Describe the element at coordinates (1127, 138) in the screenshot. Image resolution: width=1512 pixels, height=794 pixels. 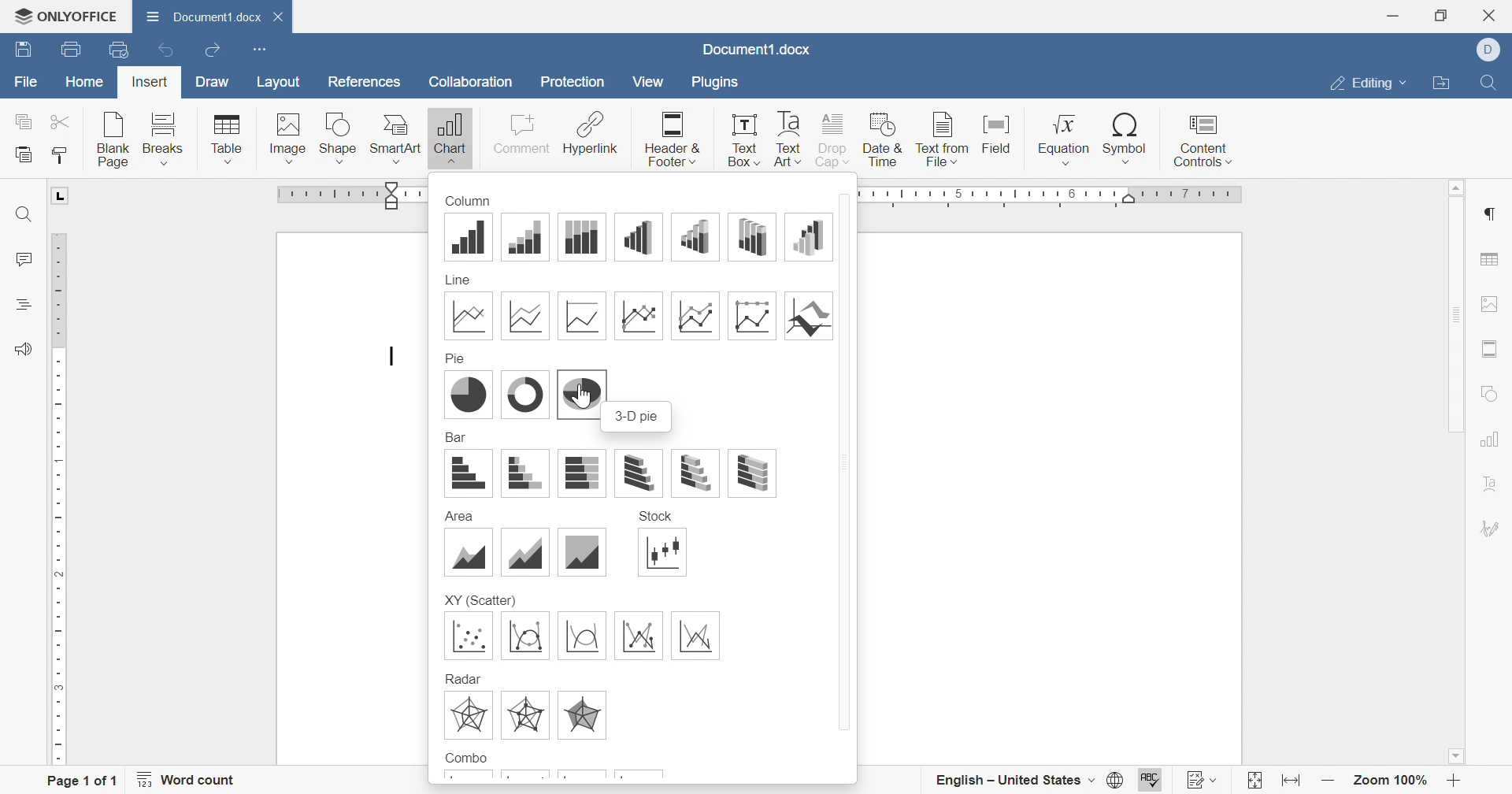
I see `Symbol` at that location.